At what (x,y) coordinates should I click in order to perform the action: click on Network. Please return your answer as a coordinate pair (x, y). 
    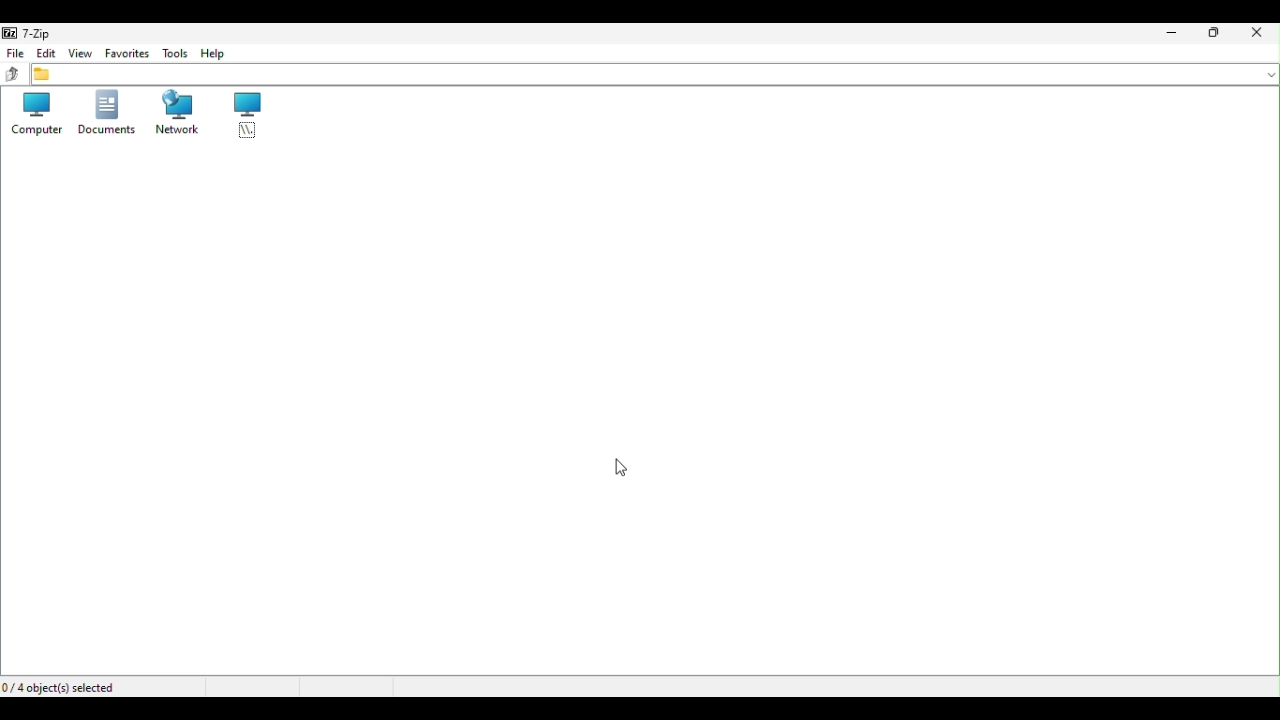
    Looking at the image, I should click on (176, 113).